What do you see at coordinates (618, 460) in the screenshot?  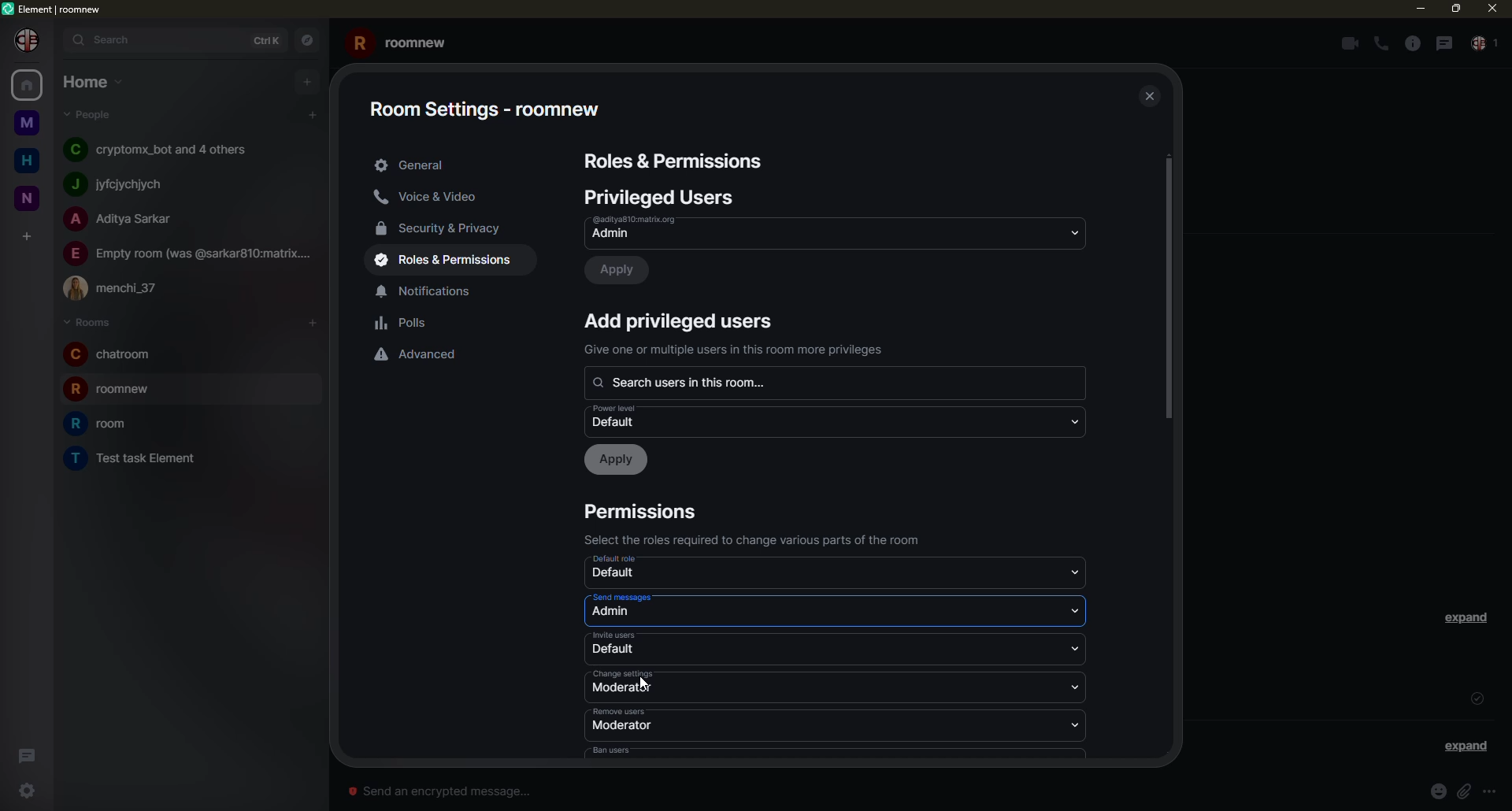 I see `apply` at bounding box center [618, 460].